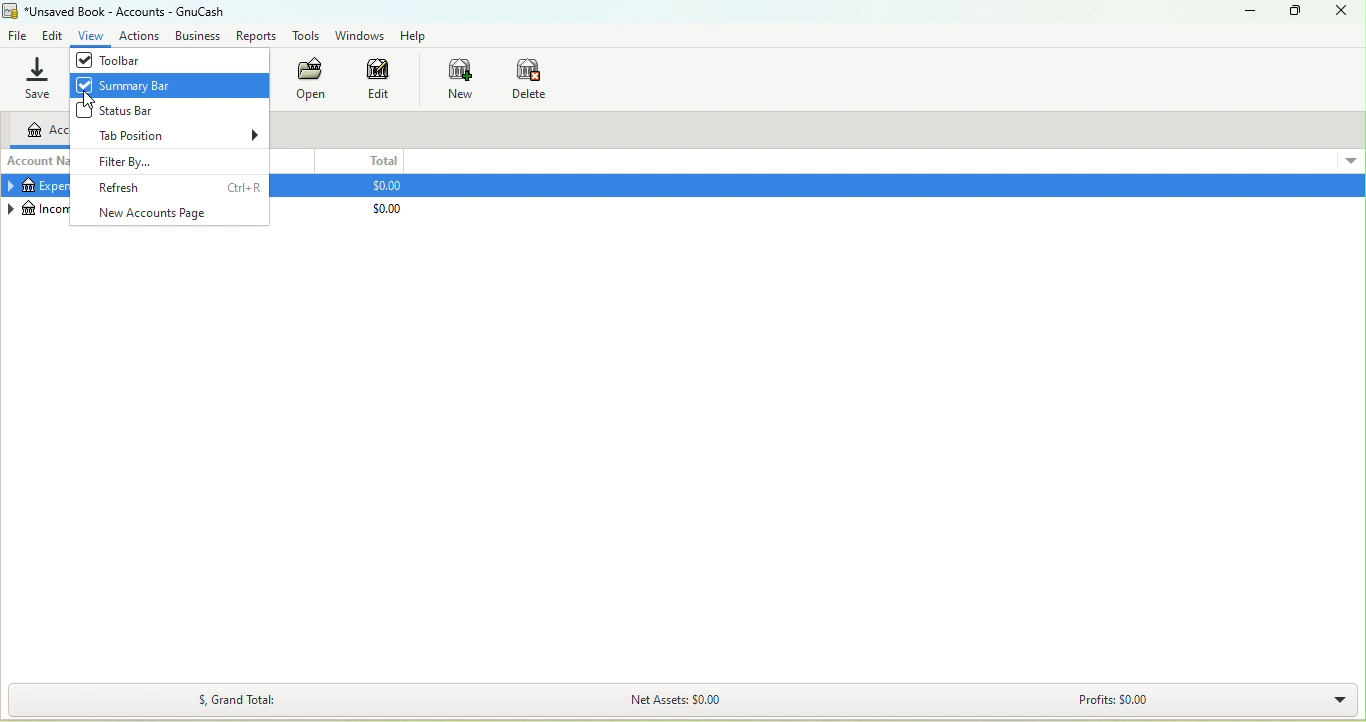  I want to click on Report, so click(259, 37).